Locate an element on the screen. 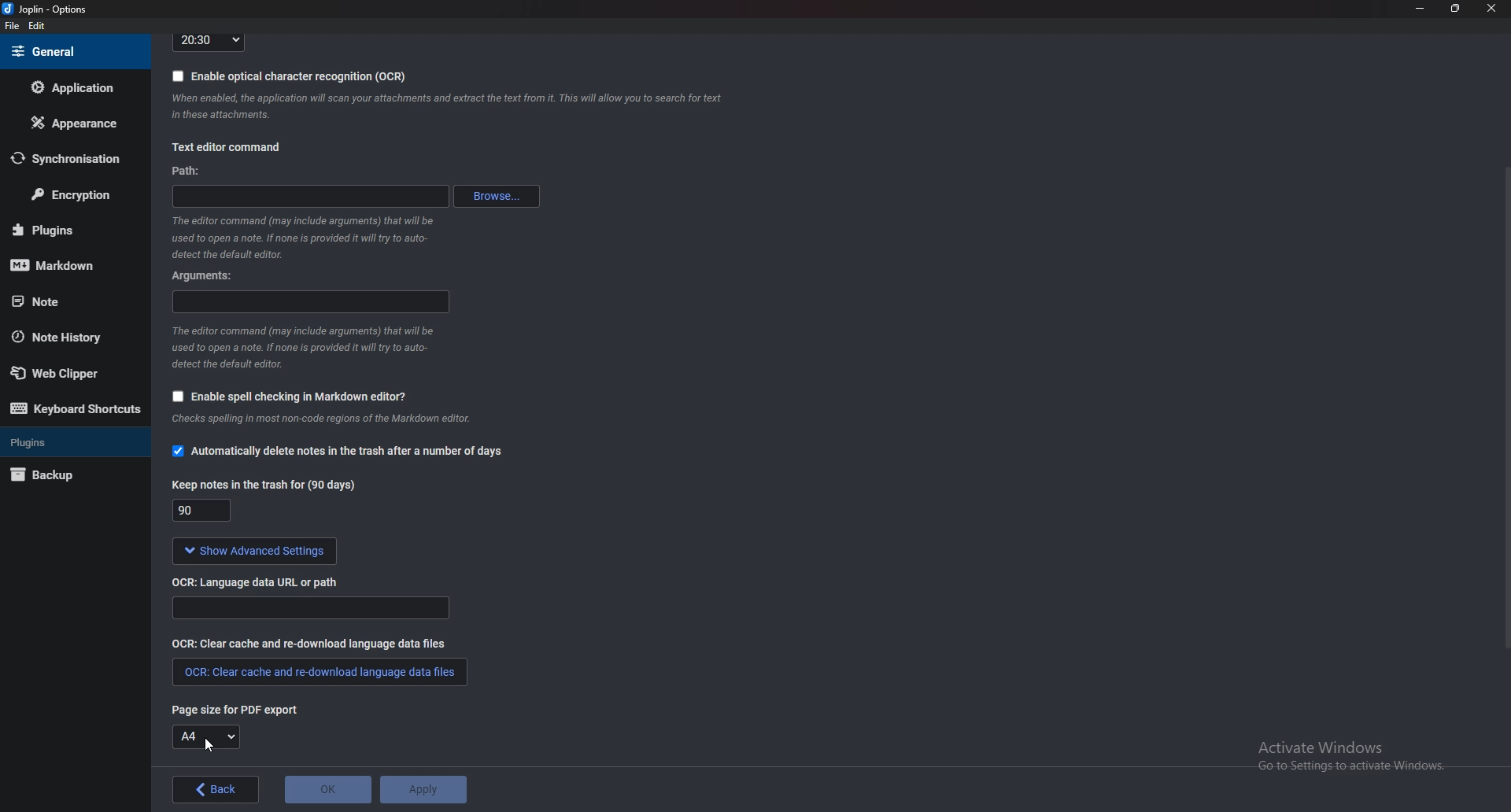 The width and height of the screenshot is (1511, 812). arguments is located at coordinates (313, 302).